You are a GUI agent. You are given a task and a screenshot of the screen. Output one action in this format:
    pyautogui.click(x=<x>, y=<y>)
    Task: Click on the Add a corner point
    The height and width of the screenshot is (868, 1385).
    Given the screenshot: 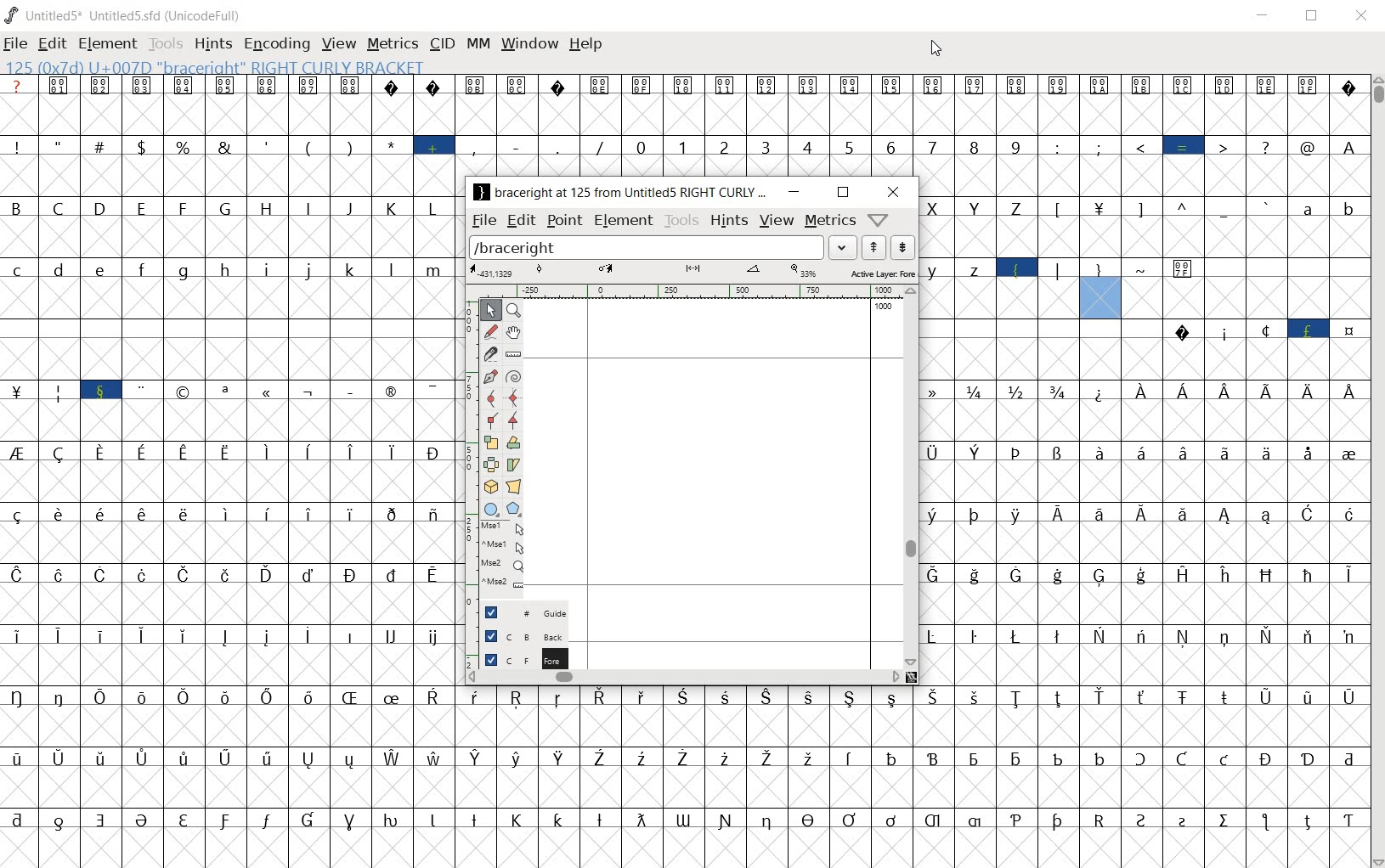 What is the action you would take?
    pyautogui.click(x=512, y=420)
    